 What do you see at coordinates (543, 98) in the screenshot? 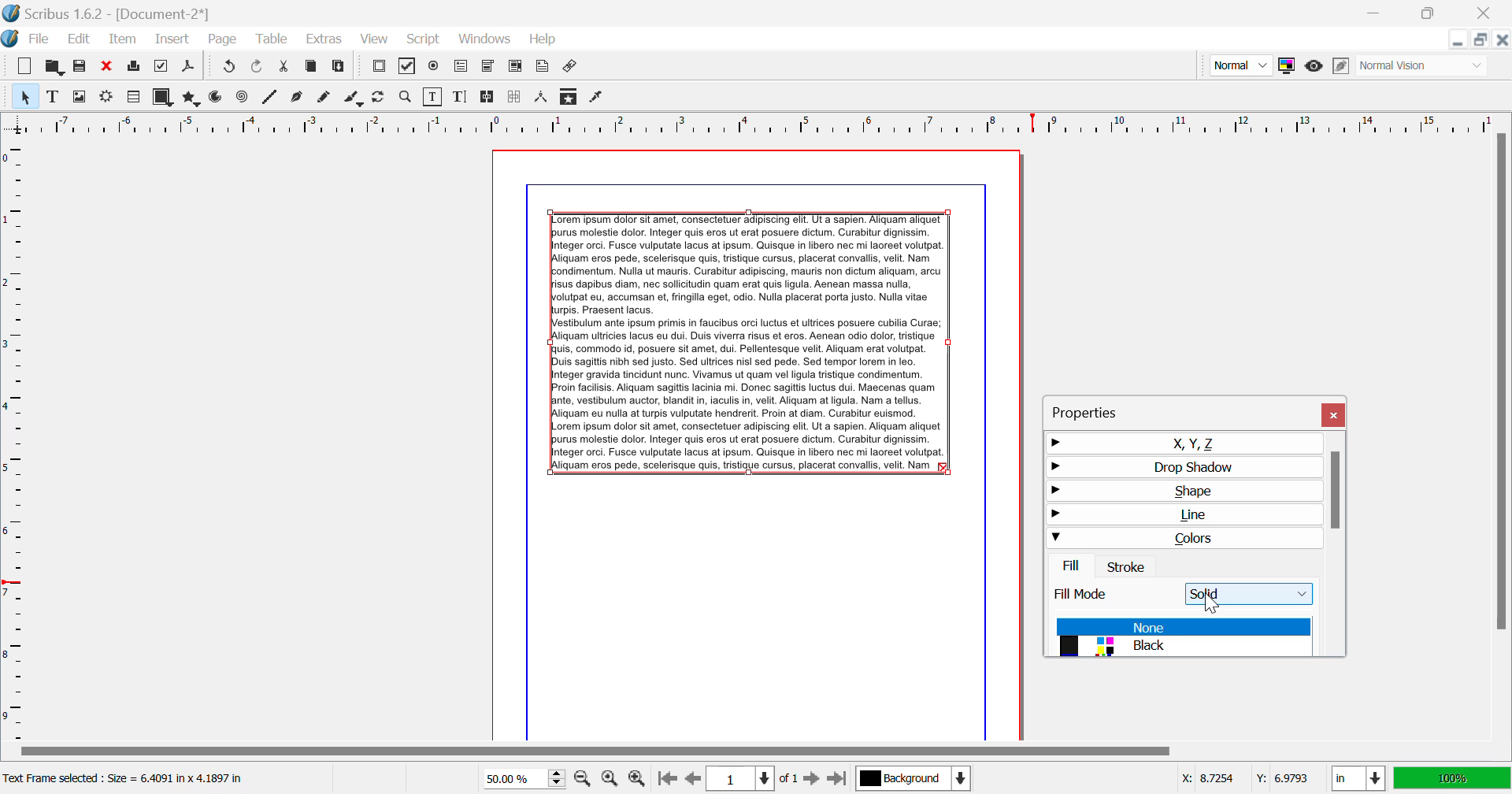
I see `Measurements` at bounding box center [543, 98].